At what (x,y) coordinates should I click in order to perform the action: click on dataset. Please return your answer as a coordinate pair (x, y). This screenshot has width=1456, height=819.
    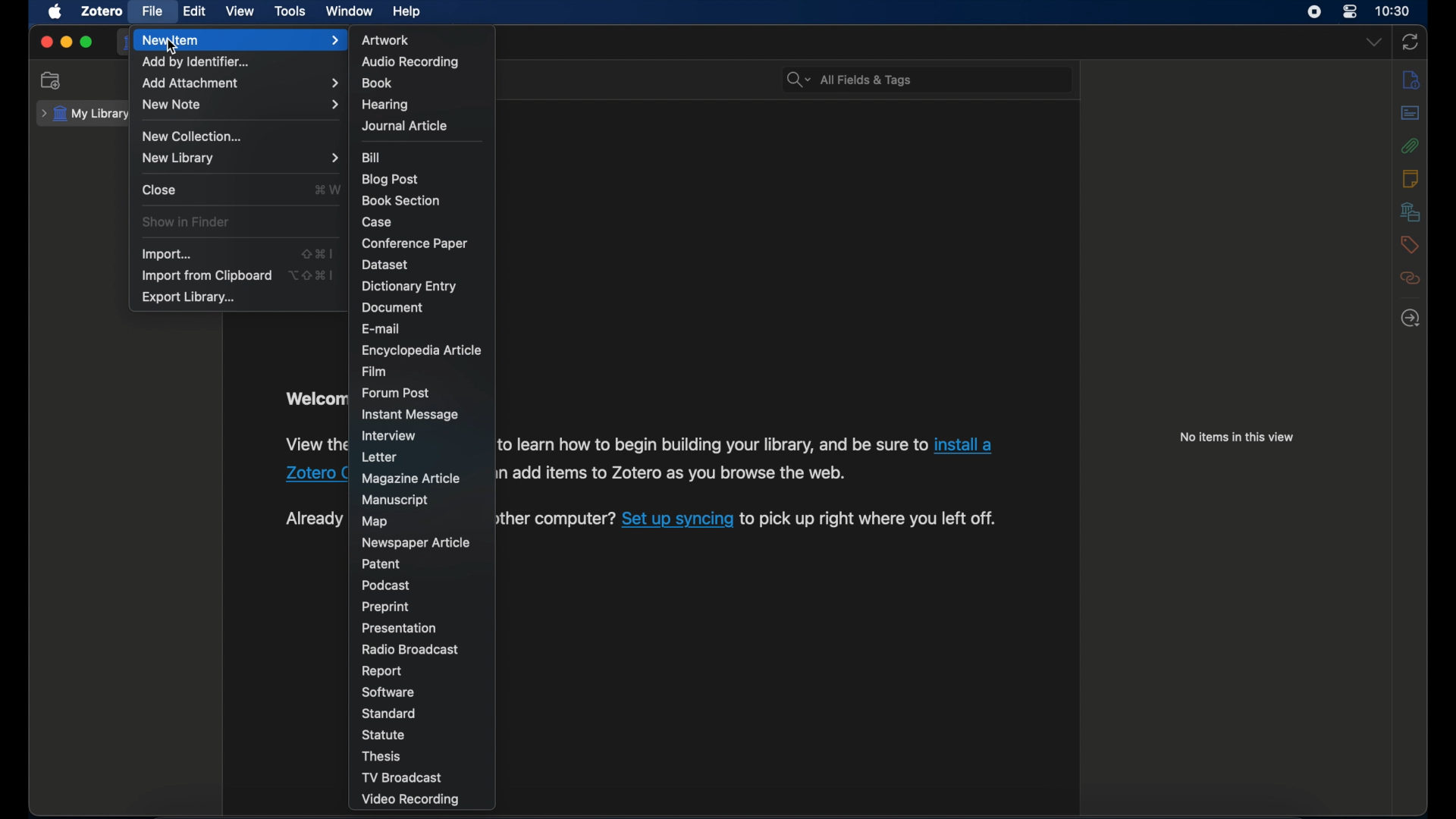
    Looking at the image, I should click on (383, 265).